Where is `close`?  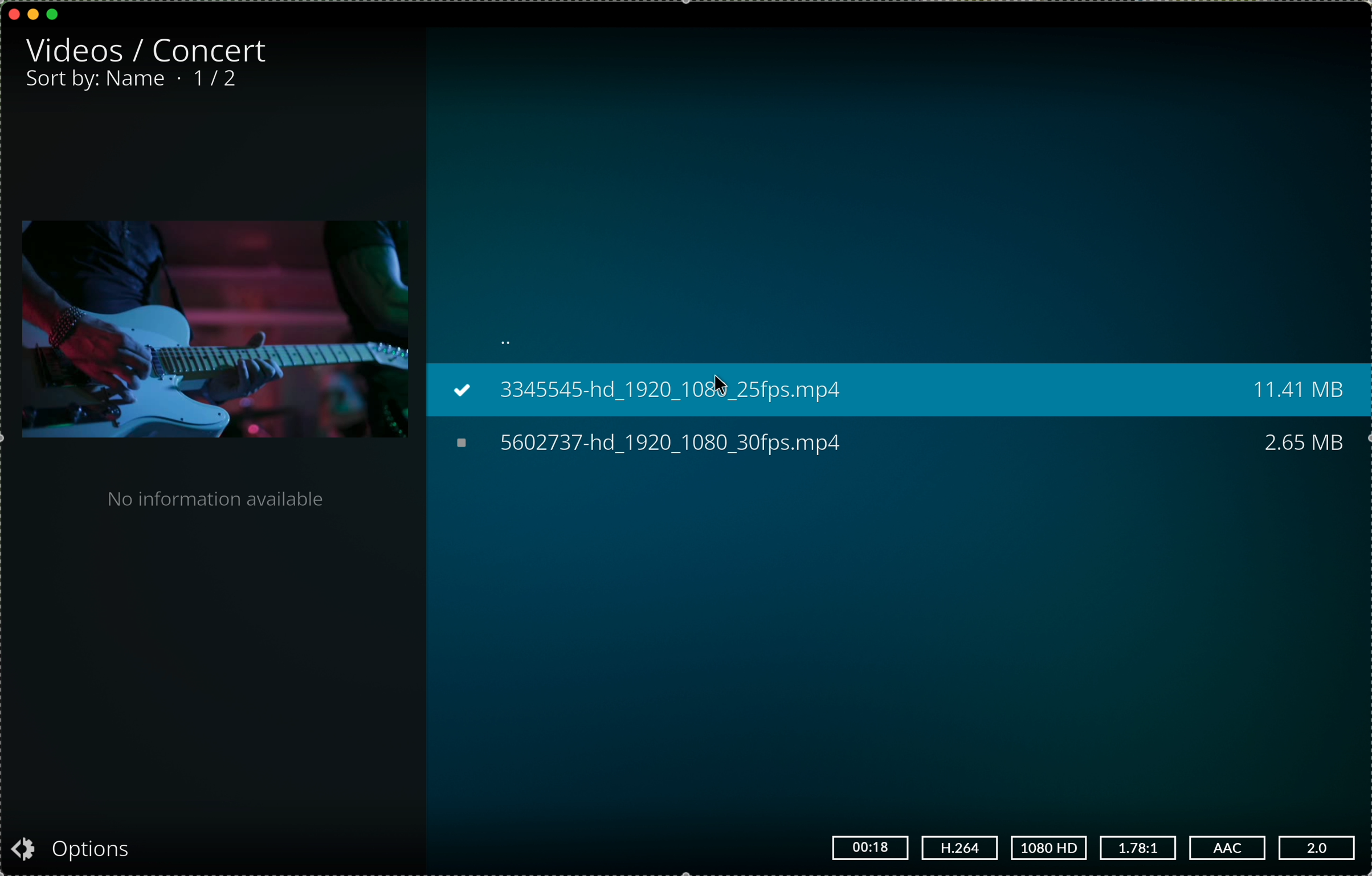
close is located at coordinates (14, 12).